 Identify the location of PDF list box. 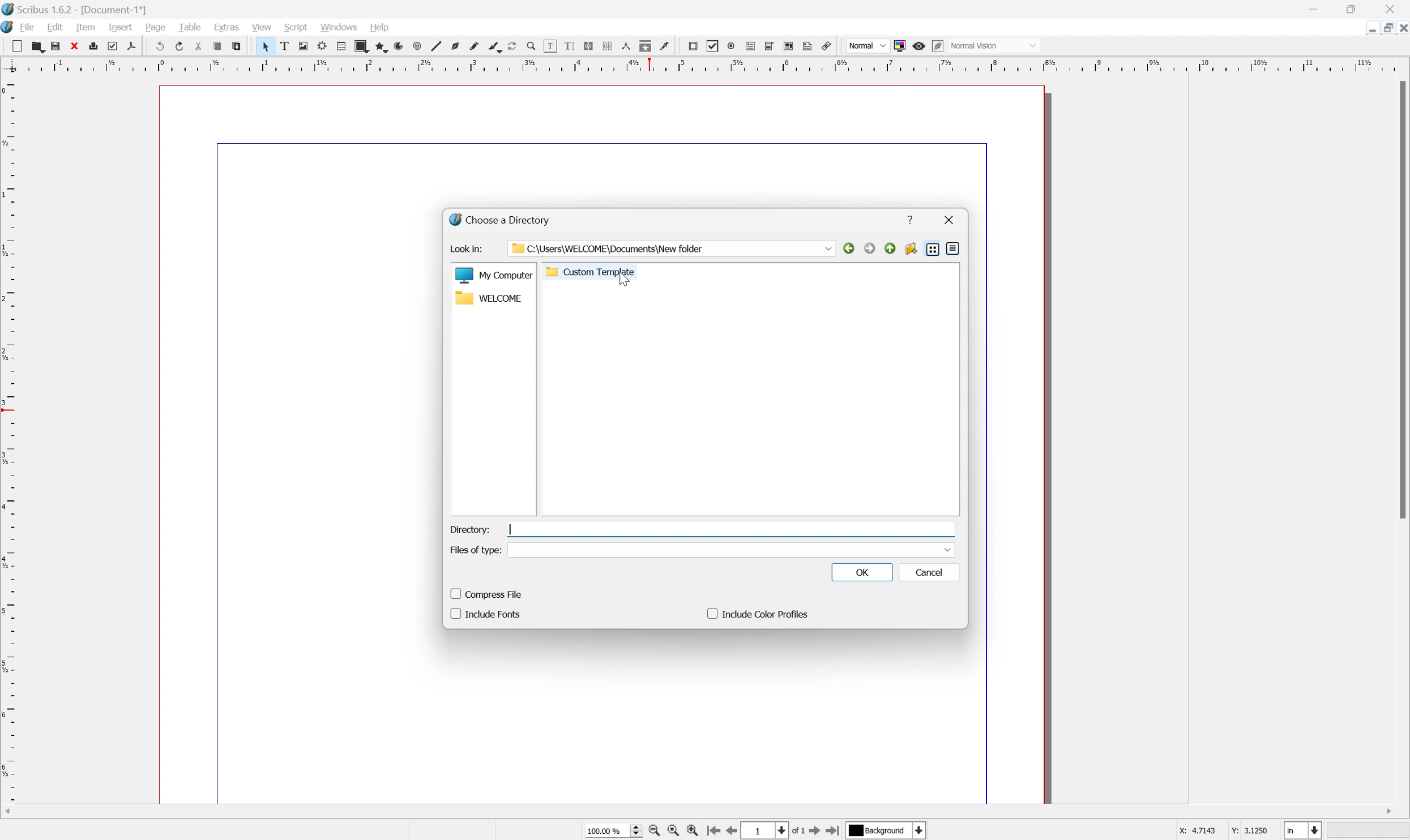
(788, 45).